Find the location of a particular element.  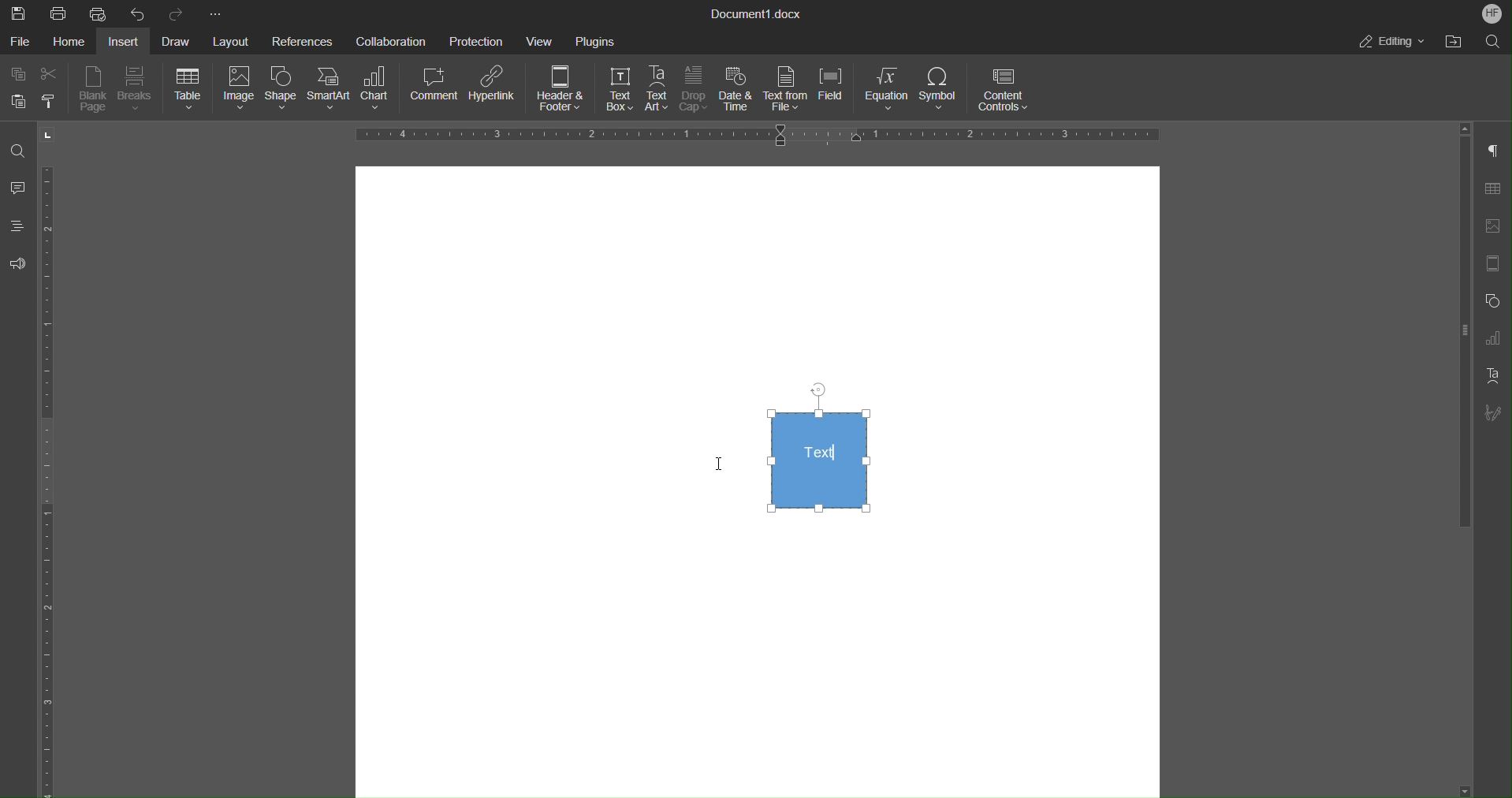

Page Settings is located at coordinates (1496, 263).